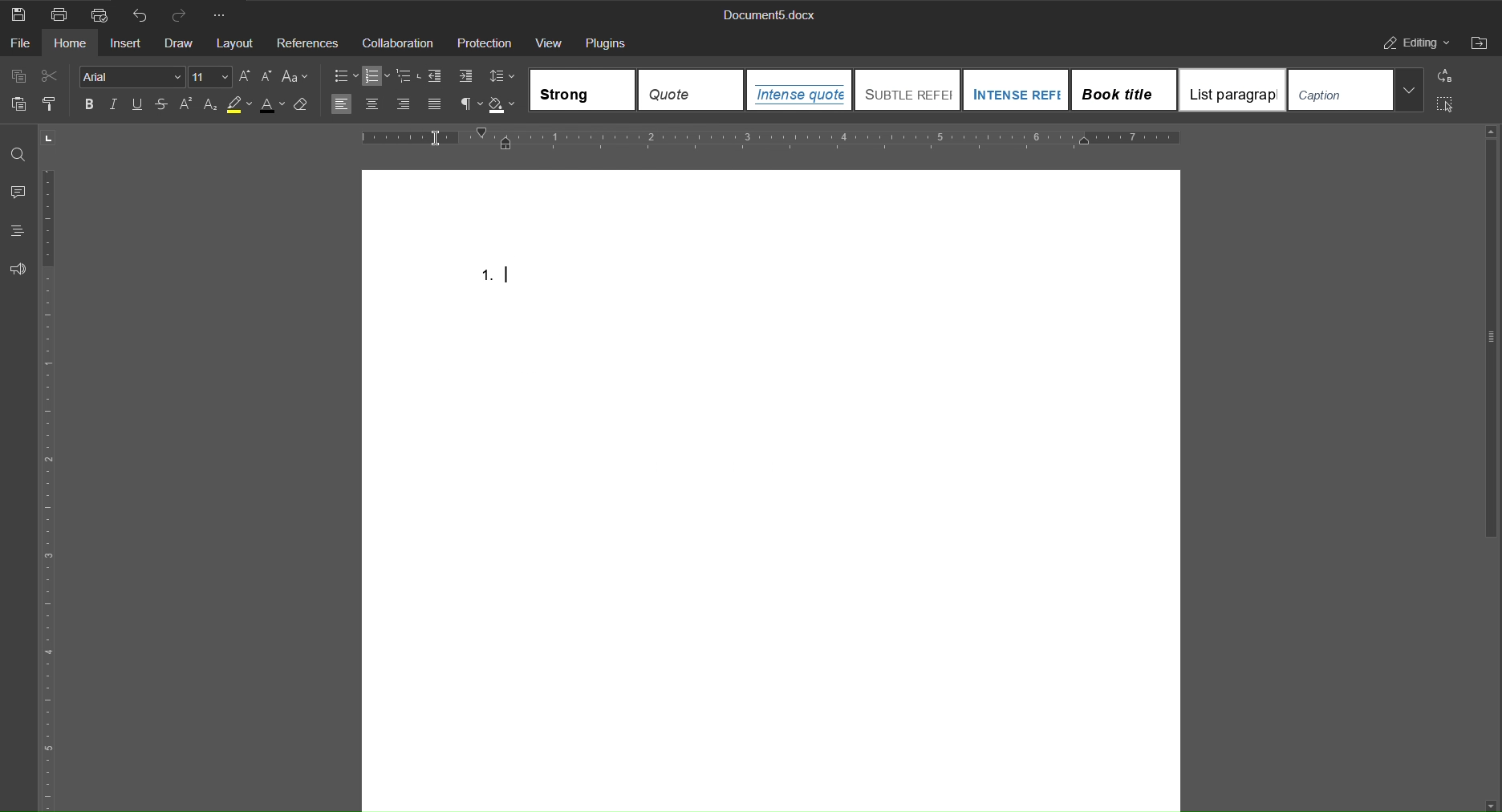 The image size is (1502, 812). What do you see at coordinates (347, 76) in the screenshot?
I see `Bullets` at bounding box center [347, 76].